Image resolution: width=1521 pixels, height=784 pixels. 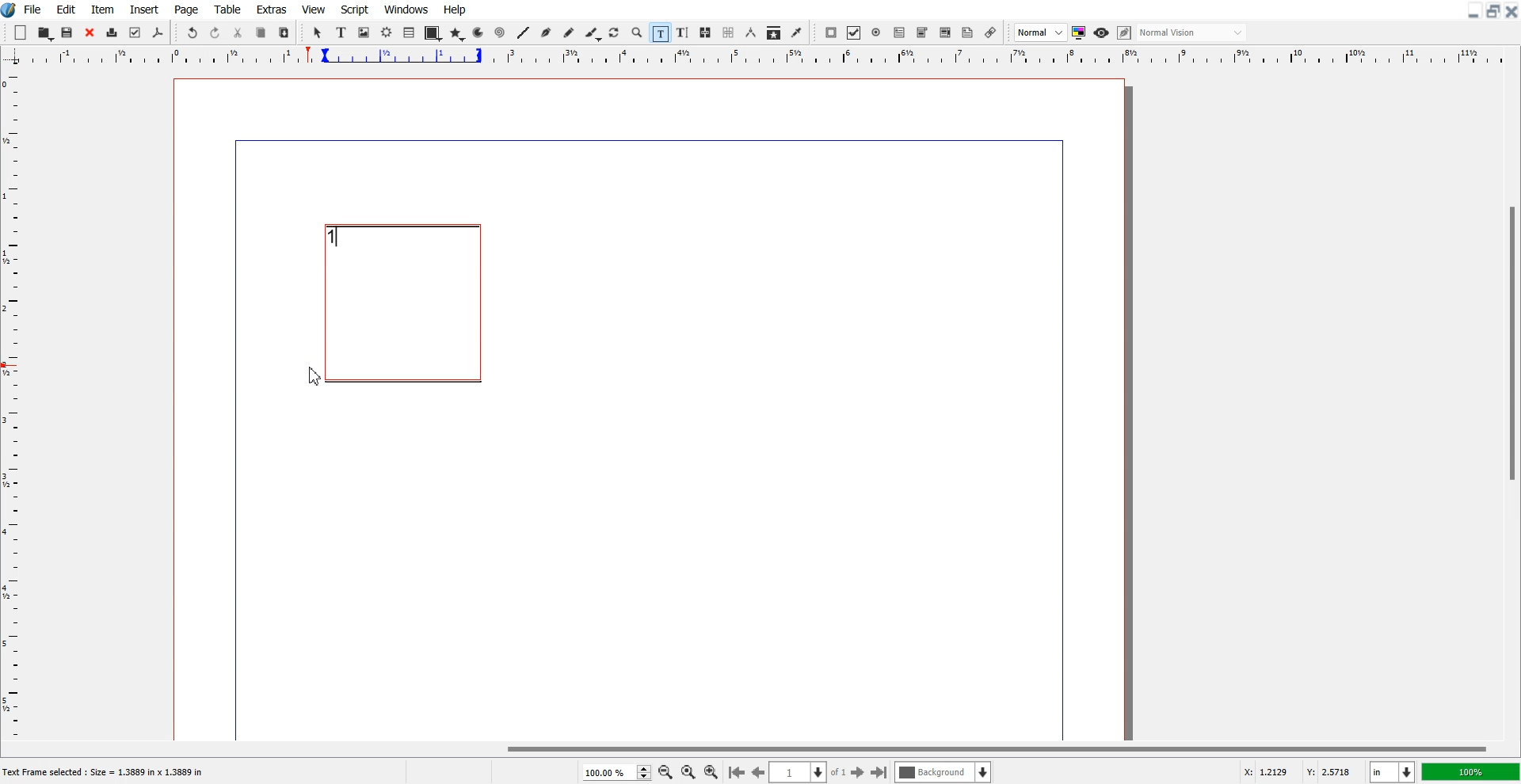 What do you see at coordinates (1102, 32) in the screenshot?
I see `Preview mode` at bounding box center [1102, 32].